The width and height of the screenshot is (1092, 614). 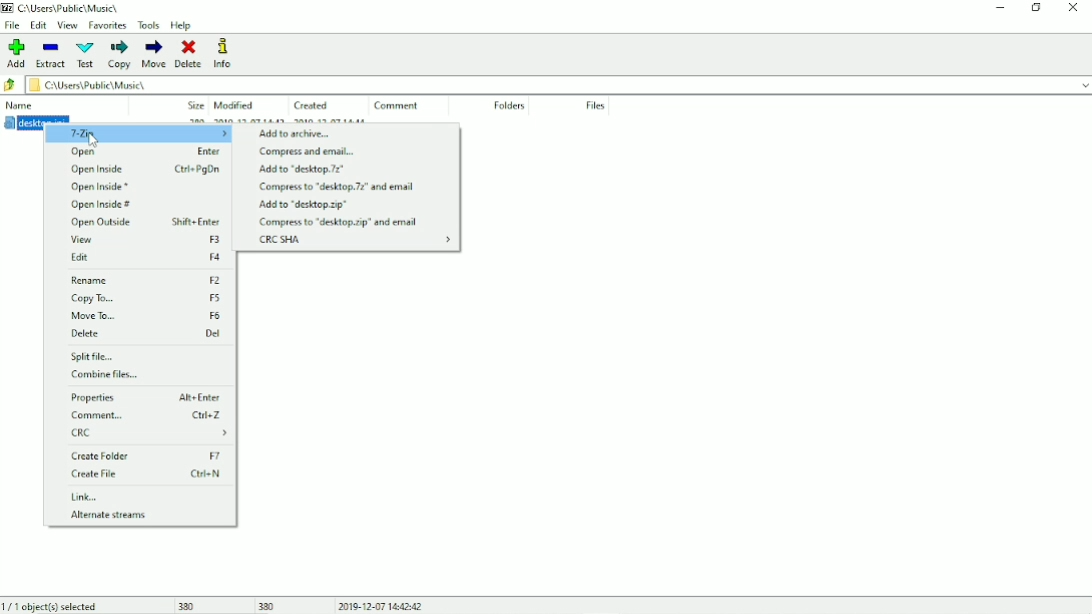 What do you see at coordinates (65, 8) in the screenshot?
I see `Location` at bounding box center [65, 8].